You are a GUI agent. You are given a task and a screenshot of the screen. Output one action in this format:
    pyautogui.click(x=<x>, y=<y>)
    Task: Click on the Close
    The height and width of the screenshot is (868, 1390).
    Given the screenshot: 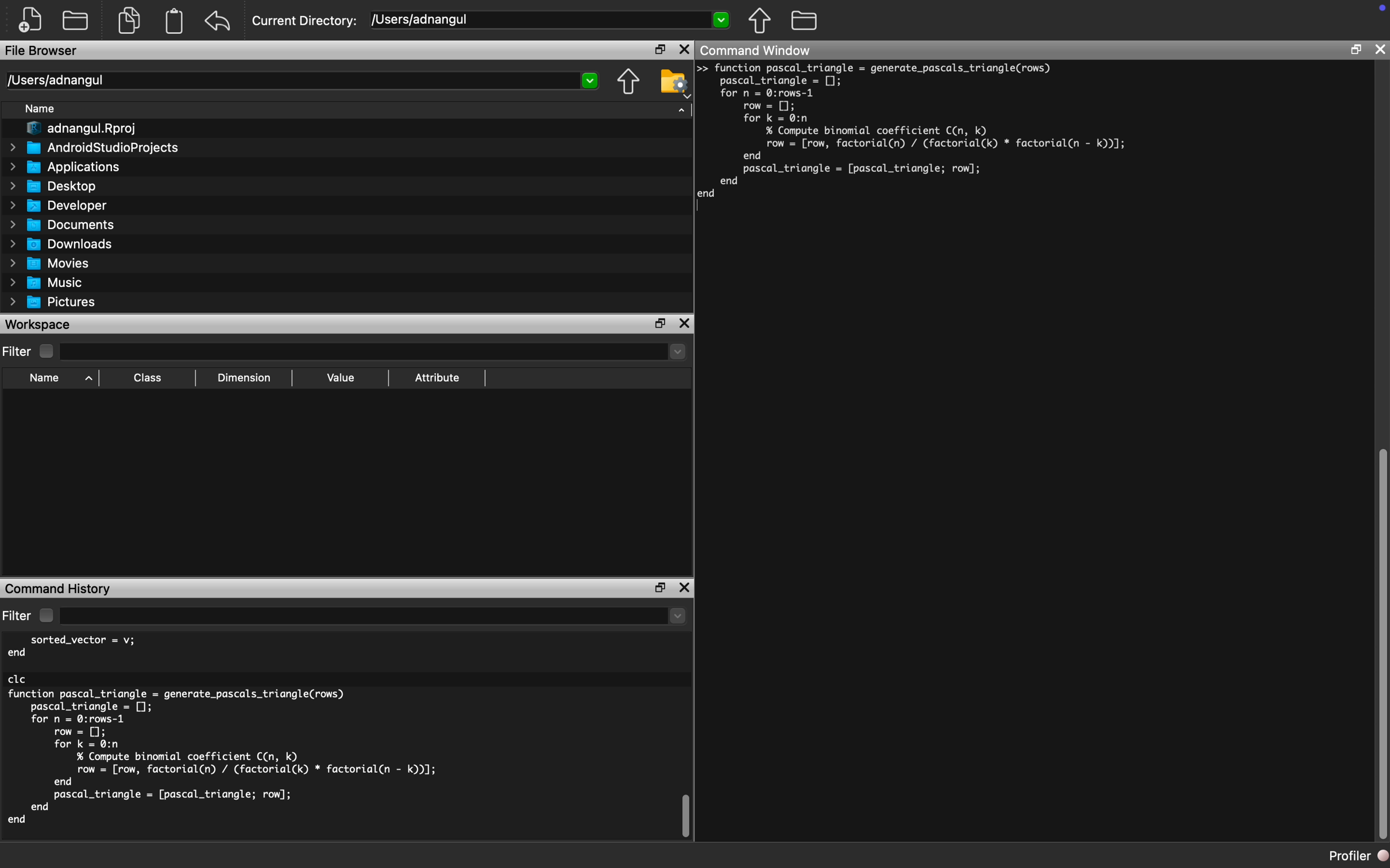 What is the action you would take?
    pyautogui.click(x=684, y=587)
    